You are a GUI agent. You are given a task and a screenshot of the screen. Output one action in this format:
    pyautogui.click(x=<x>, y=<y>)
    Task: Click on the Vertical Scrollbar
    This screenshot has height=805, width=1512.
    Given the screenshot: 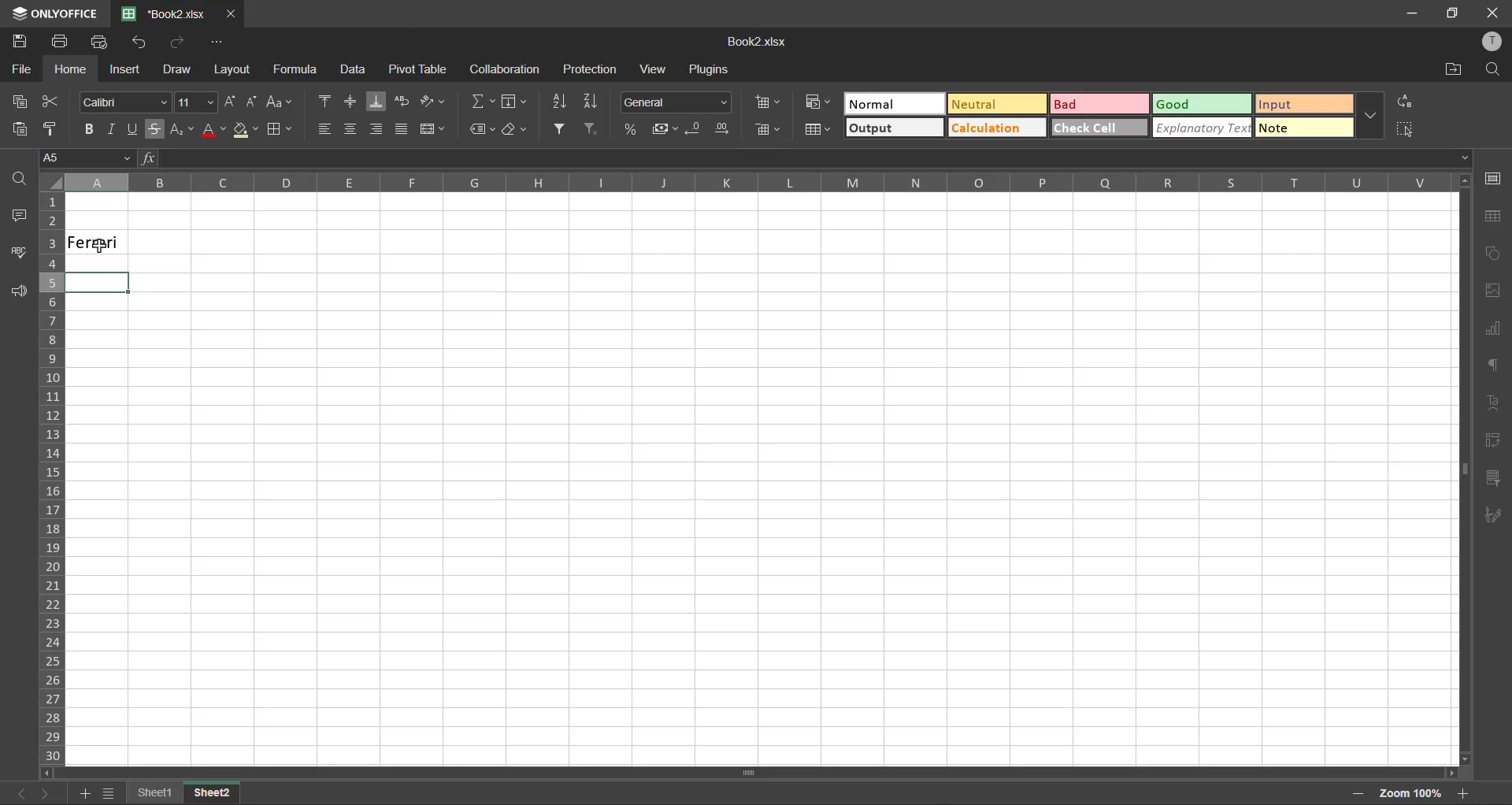 What is the action you would take?
    pyautogui.click(x=714, y=770)
    